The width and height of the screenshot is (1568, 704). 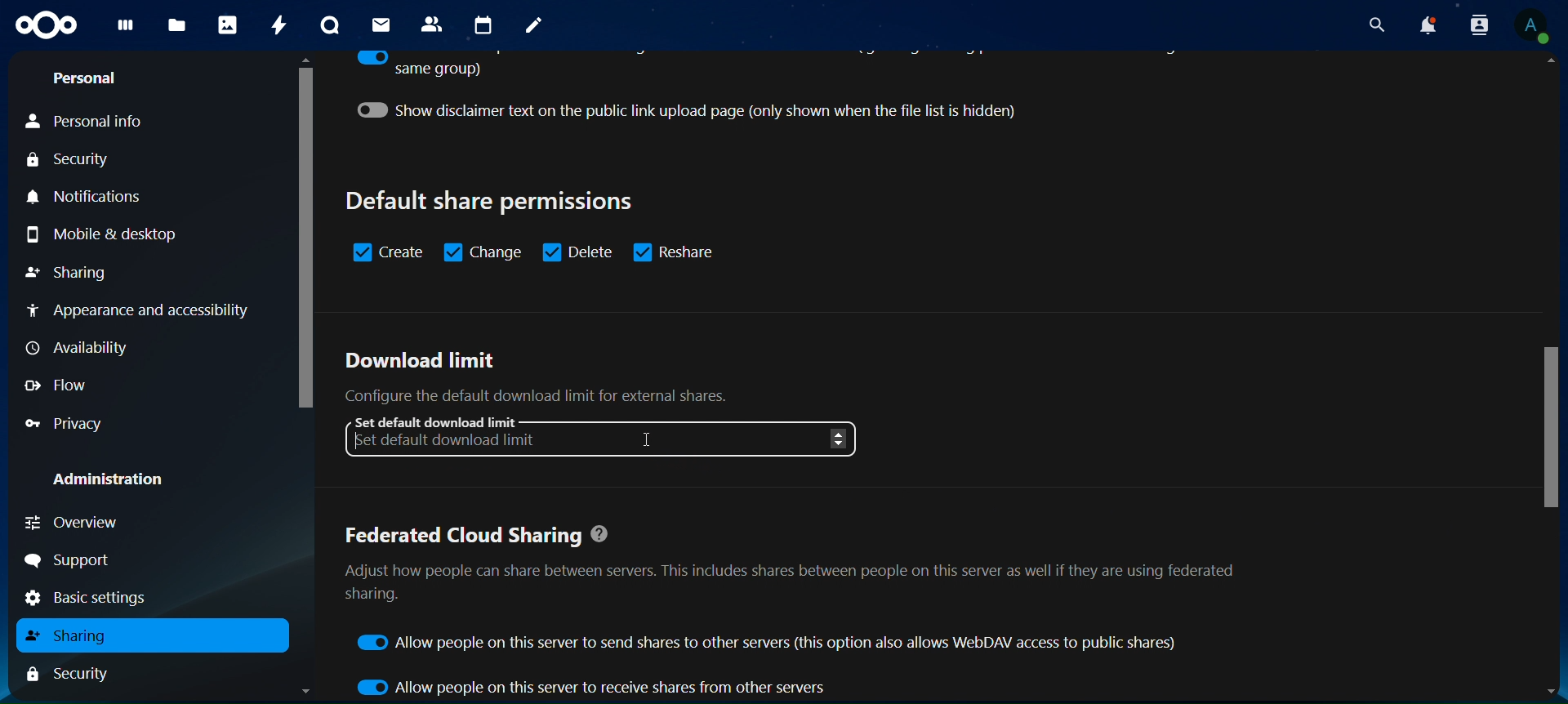 I want to click on files, so click(x=178, y=27).